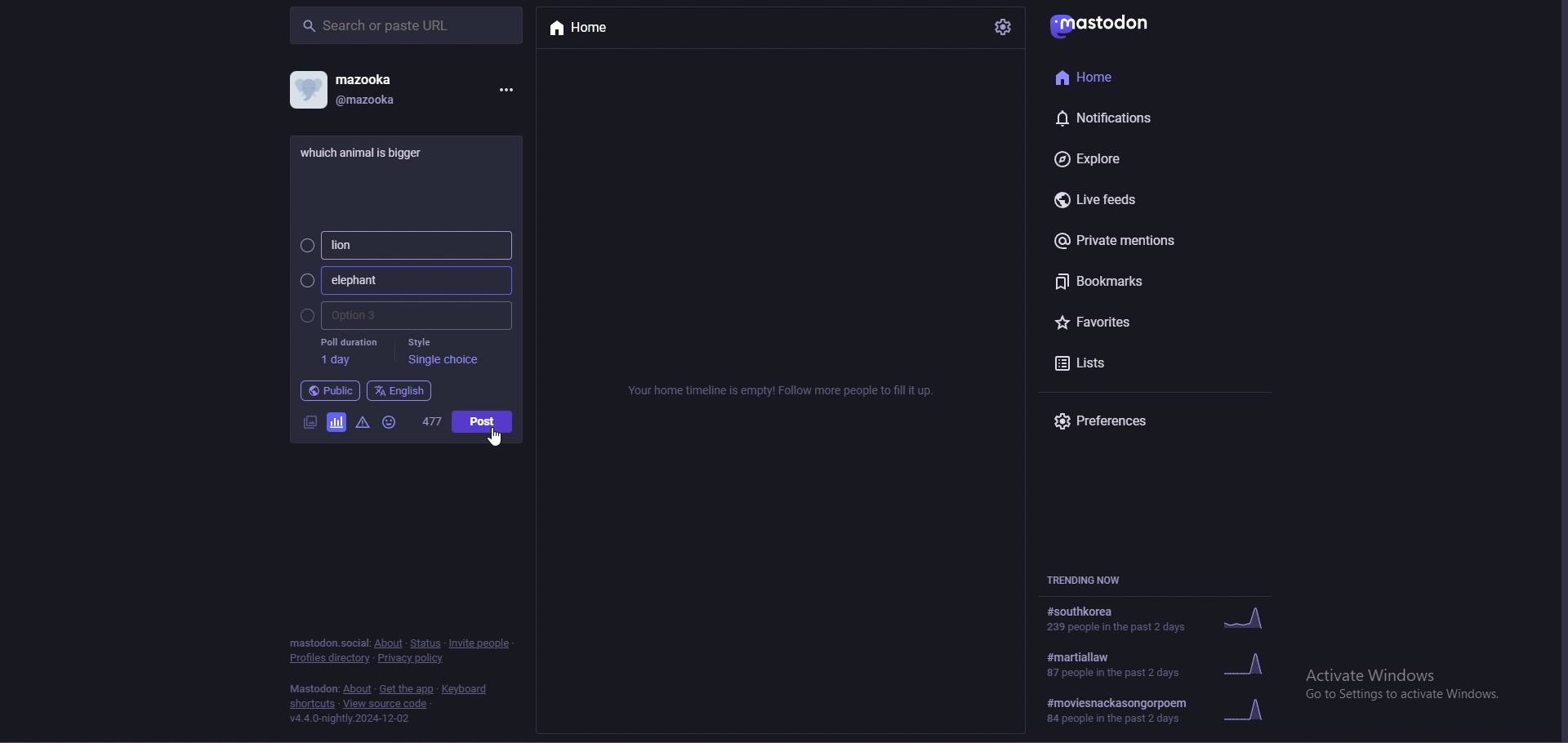 This screenshot has width=1568, height=743. Describe the element at coordinates (403, 245) in the screenshot. I see `Lion` at that location.